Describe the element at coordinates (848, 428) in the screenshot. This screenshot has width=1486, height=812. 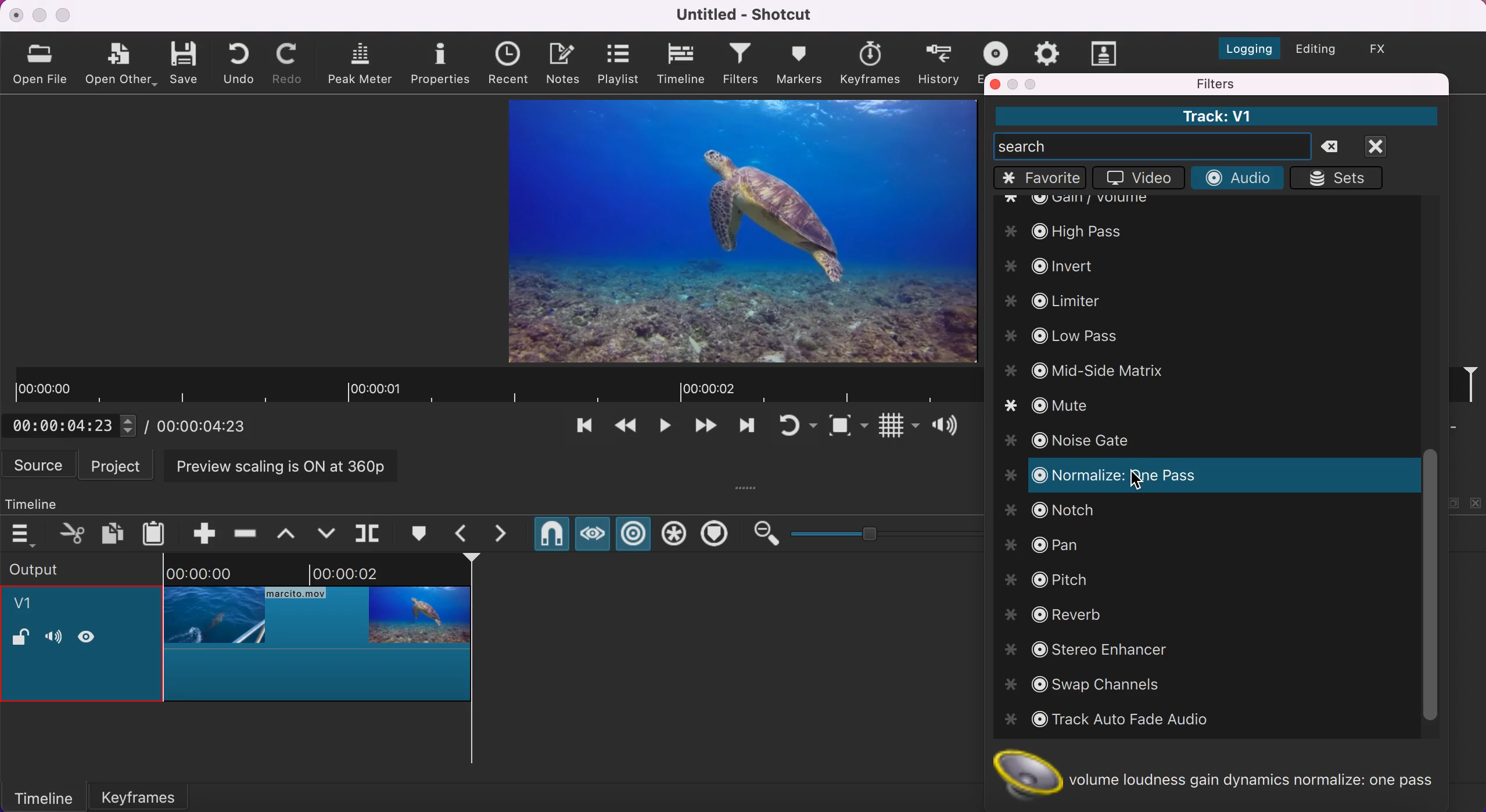
I see `toggle zoom` at that location.